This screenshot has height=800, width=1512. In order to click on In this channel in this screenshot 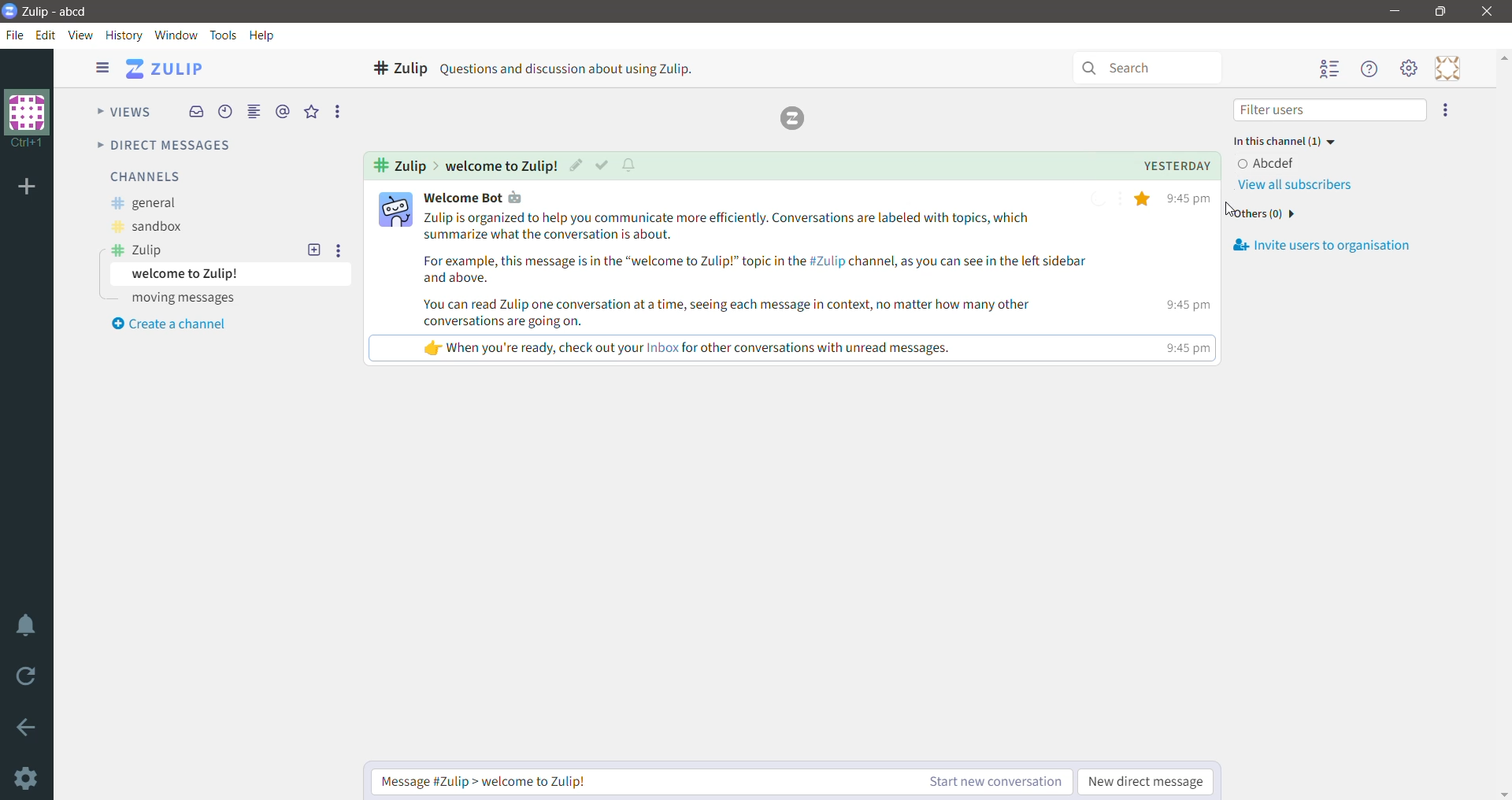, I will do `click(1295, 143)`.